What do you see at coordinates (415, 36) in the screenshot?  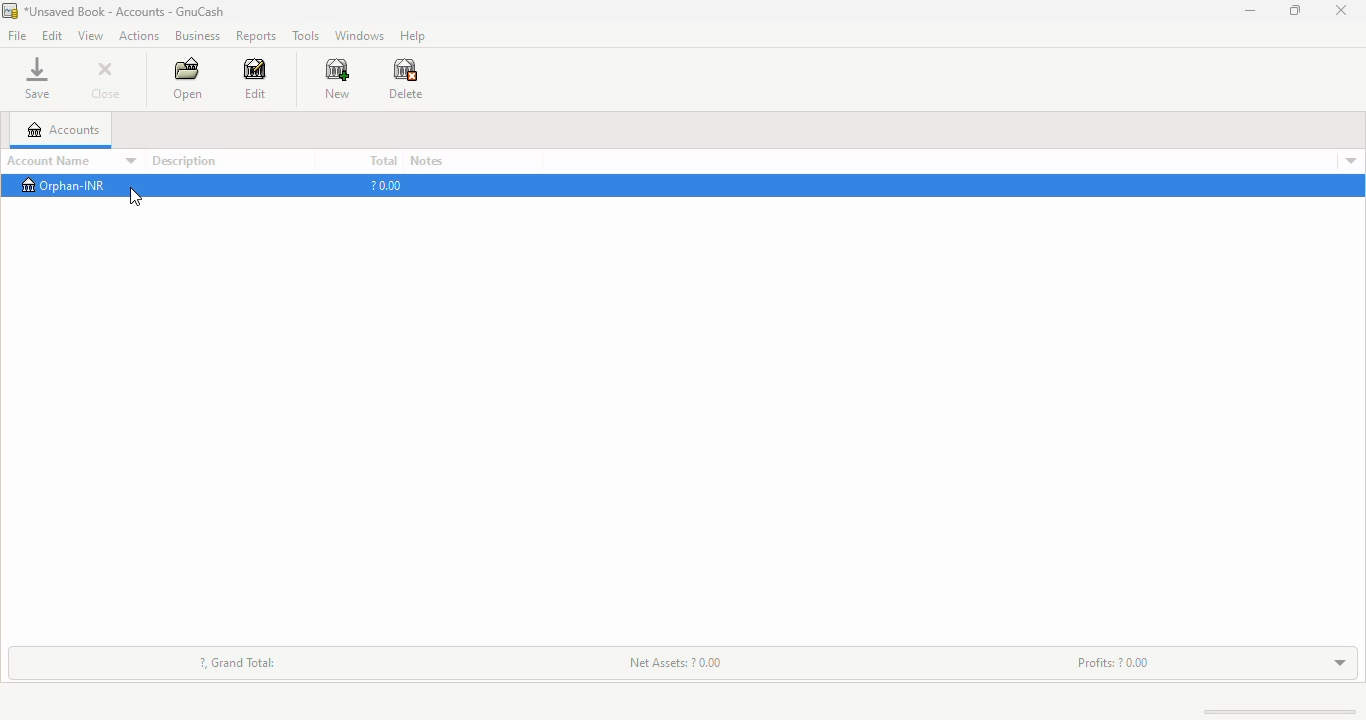 I see `help` at bounding box center [415, 36].